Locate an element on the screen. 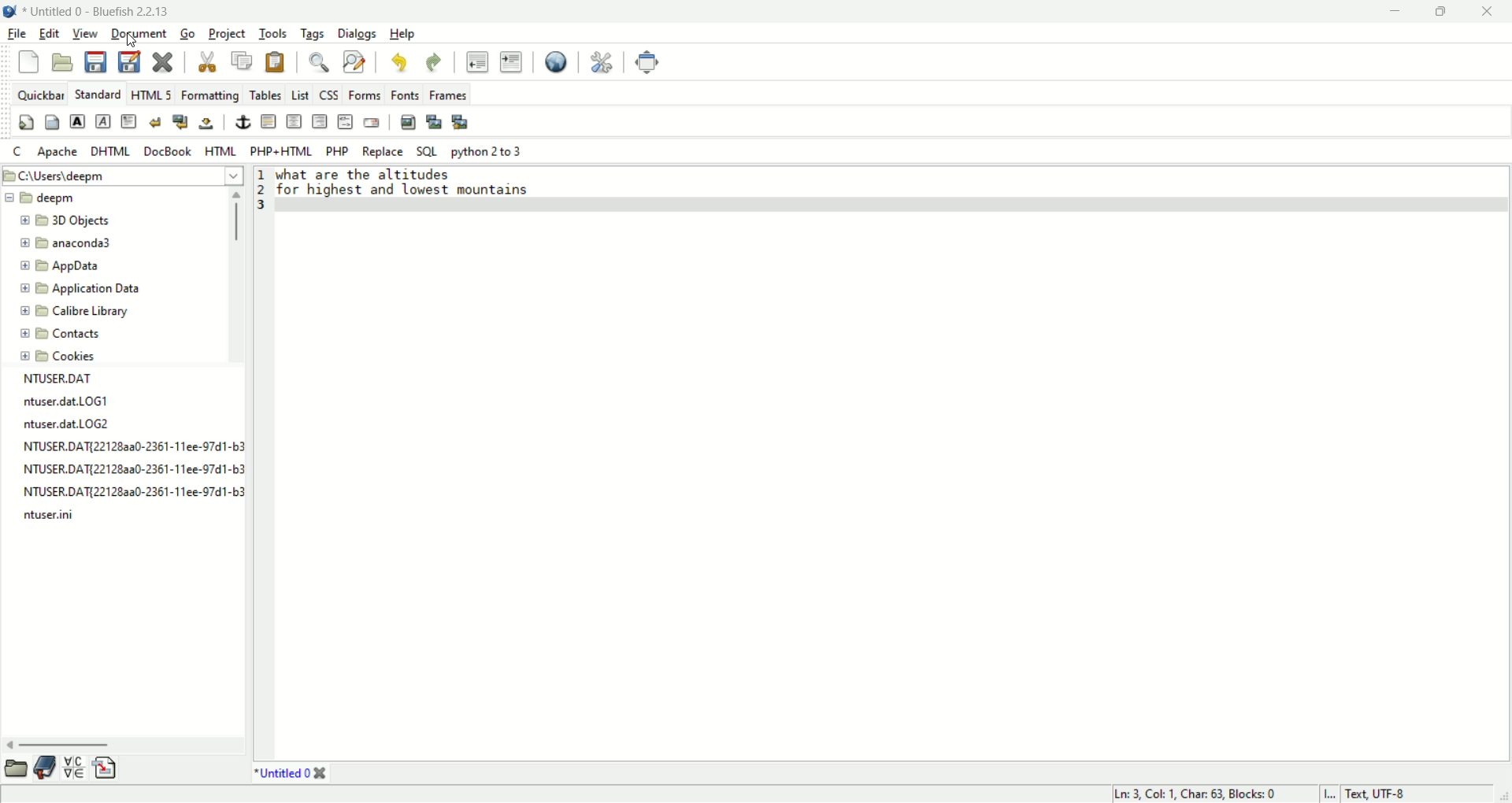 The height and width of the screenshot is (803, 1512). undo is located at coordinates (399, 61).